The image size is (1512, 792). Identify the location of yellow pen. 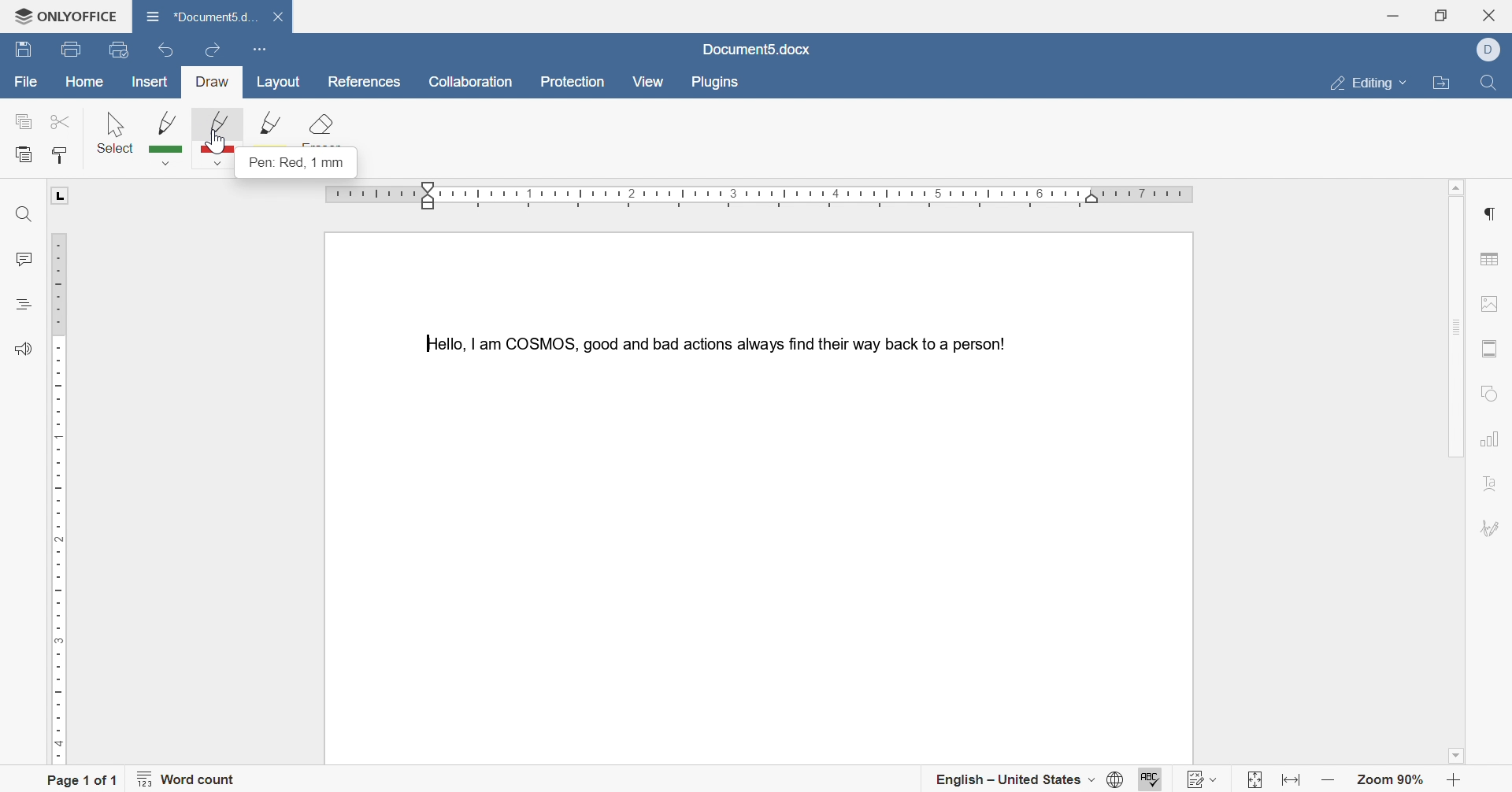
(271, 129).